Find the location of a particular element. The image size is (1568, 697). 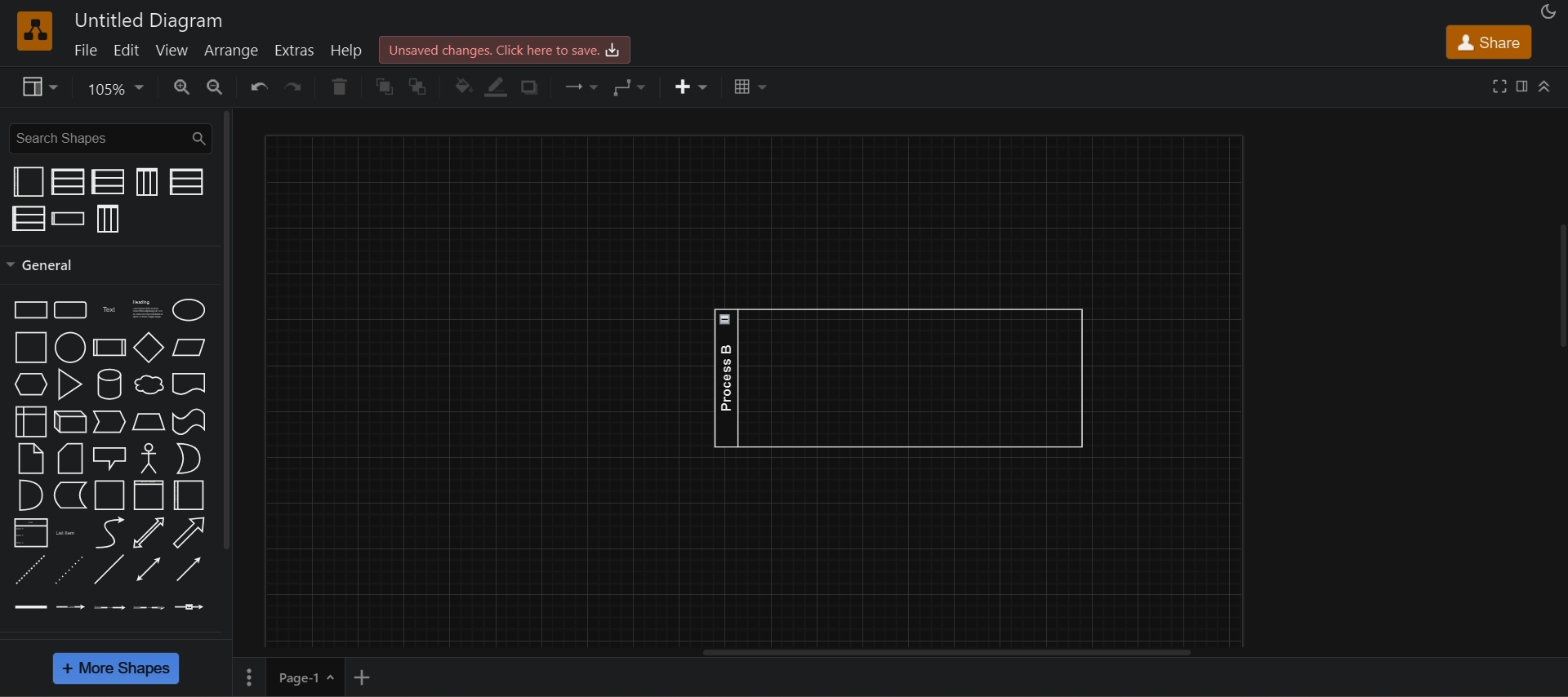

vertical container is located at coordinates (149, 495).